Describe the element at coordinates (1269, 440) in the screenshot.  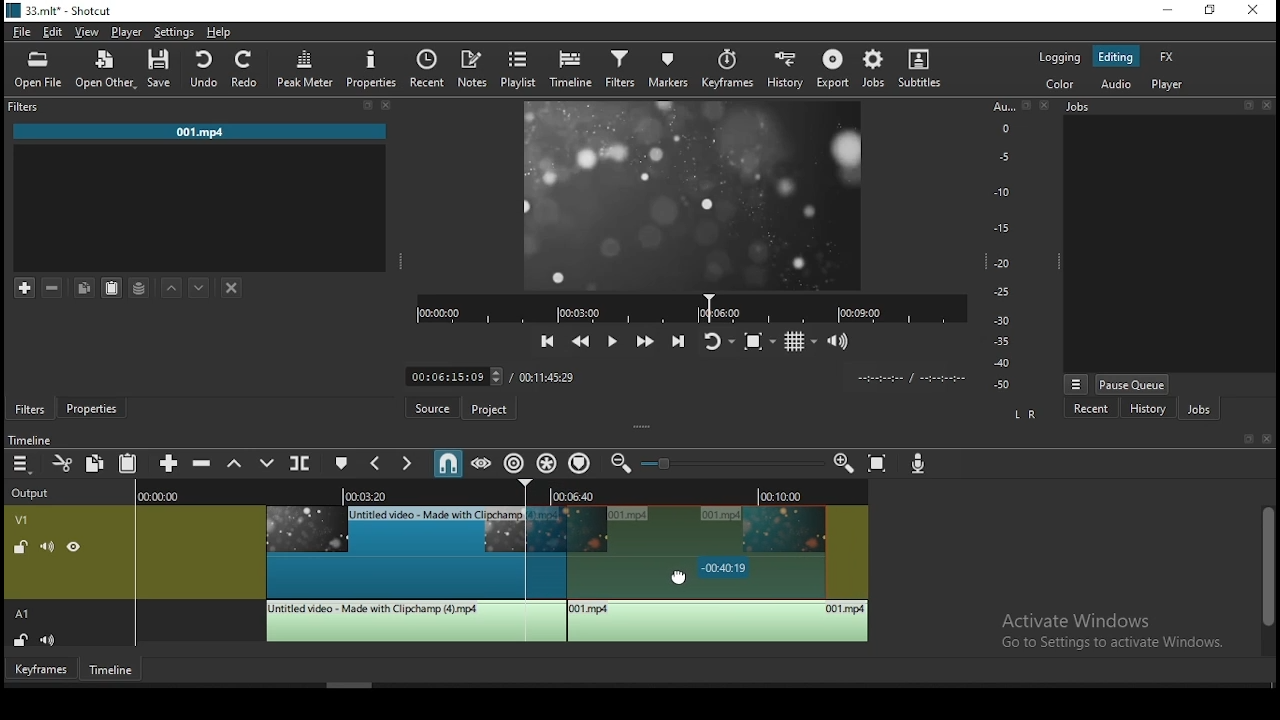
I see `close` at that location.